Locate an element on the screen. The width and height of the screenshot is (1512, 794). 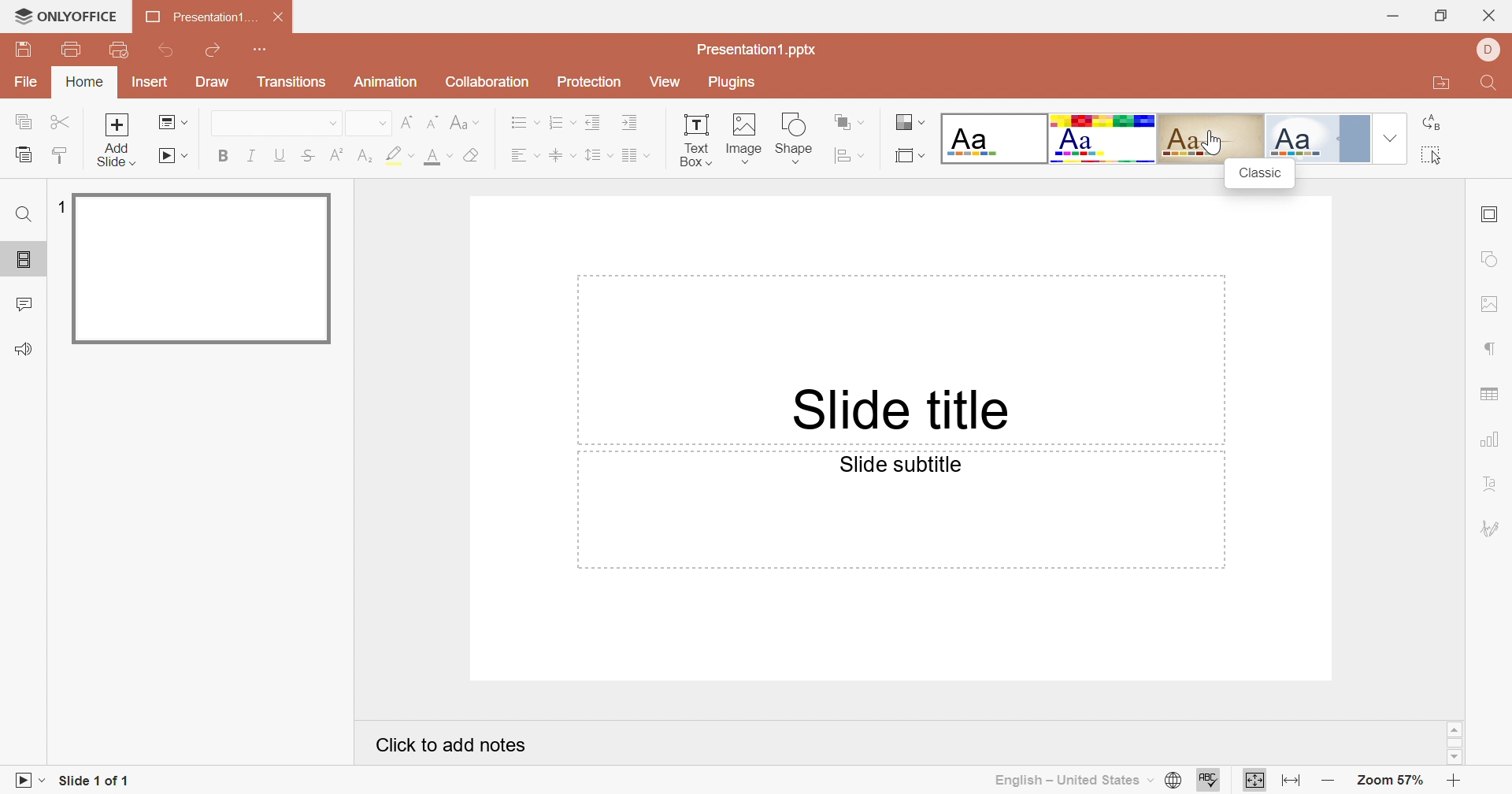
Quick Print is located at coordinates (118, 50).